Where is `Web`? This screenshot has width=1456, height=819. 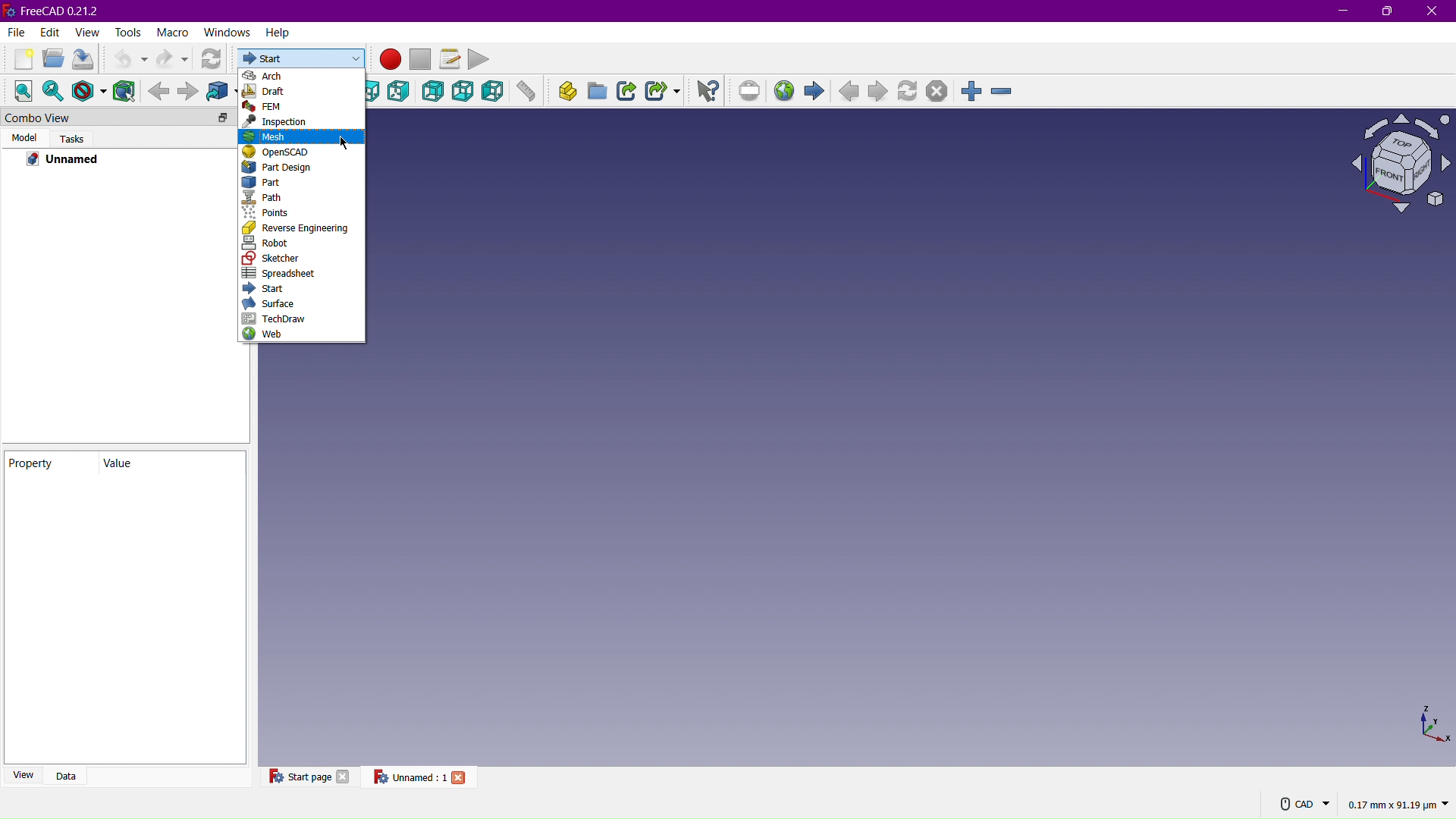 Web is located at coordinates (271, 334).